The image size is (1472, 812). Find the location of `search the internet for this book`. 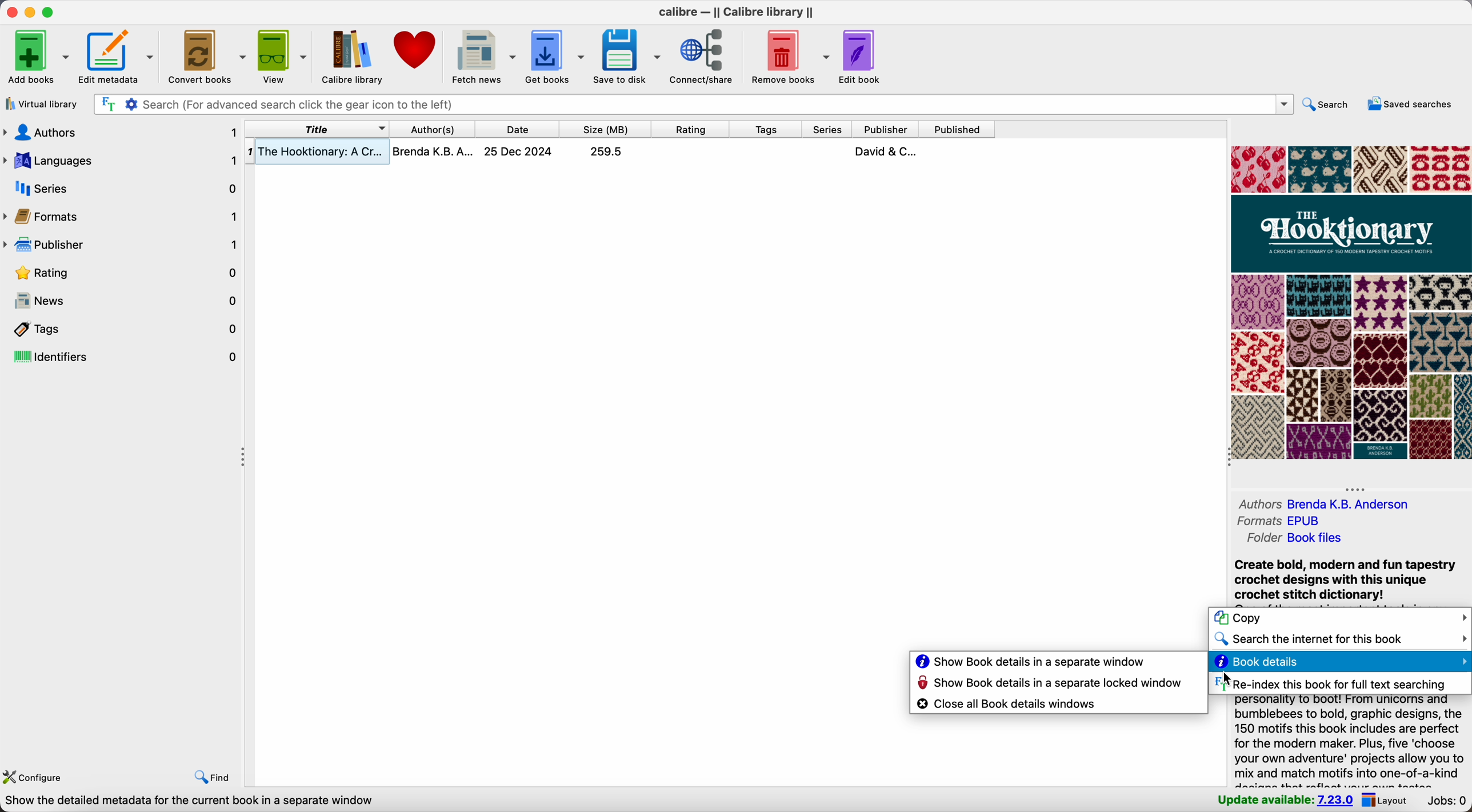

search the internet for this book is located at coordinates (1339, 640).